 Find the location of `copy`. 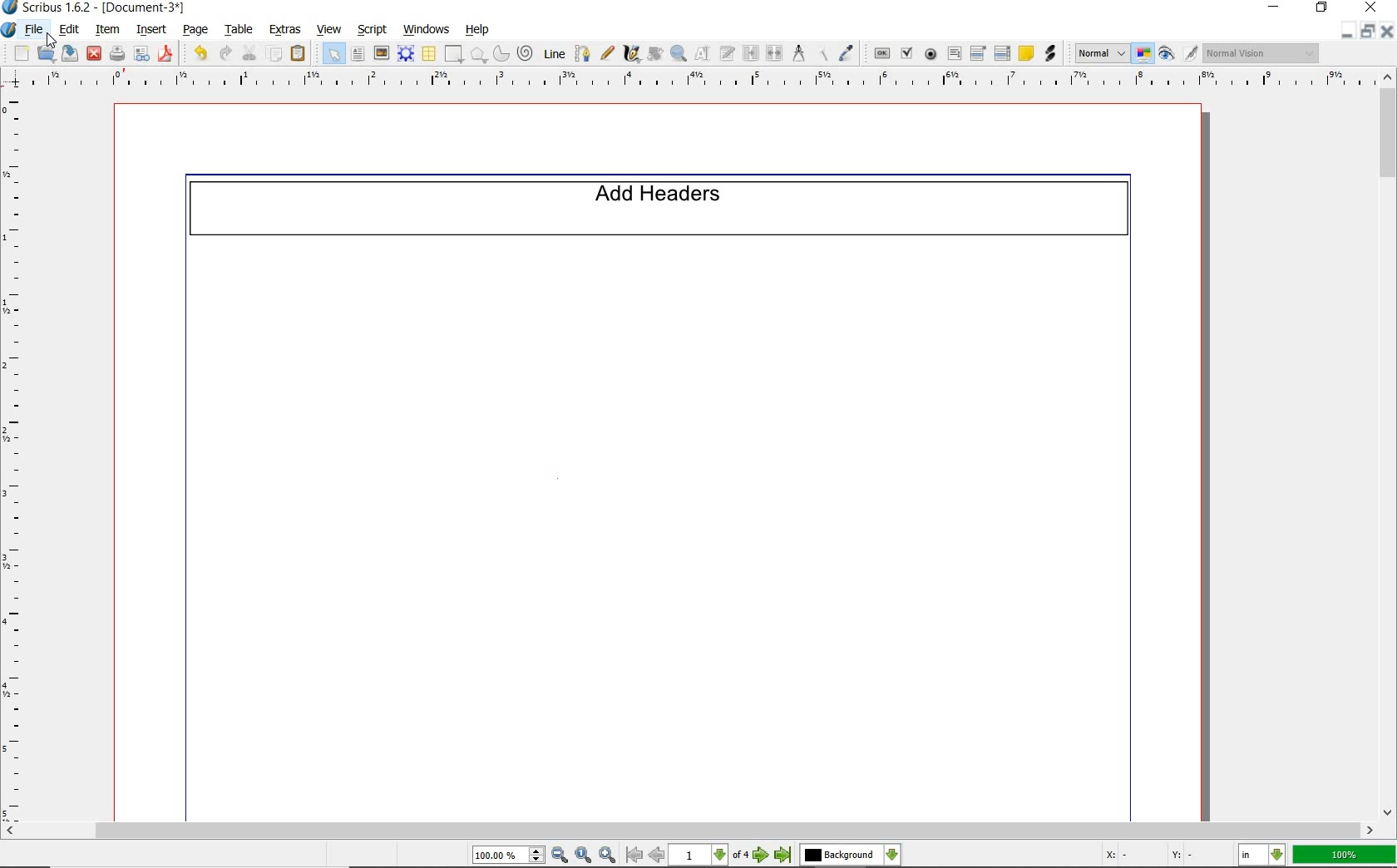

copy is located at coordinates (274, 56).